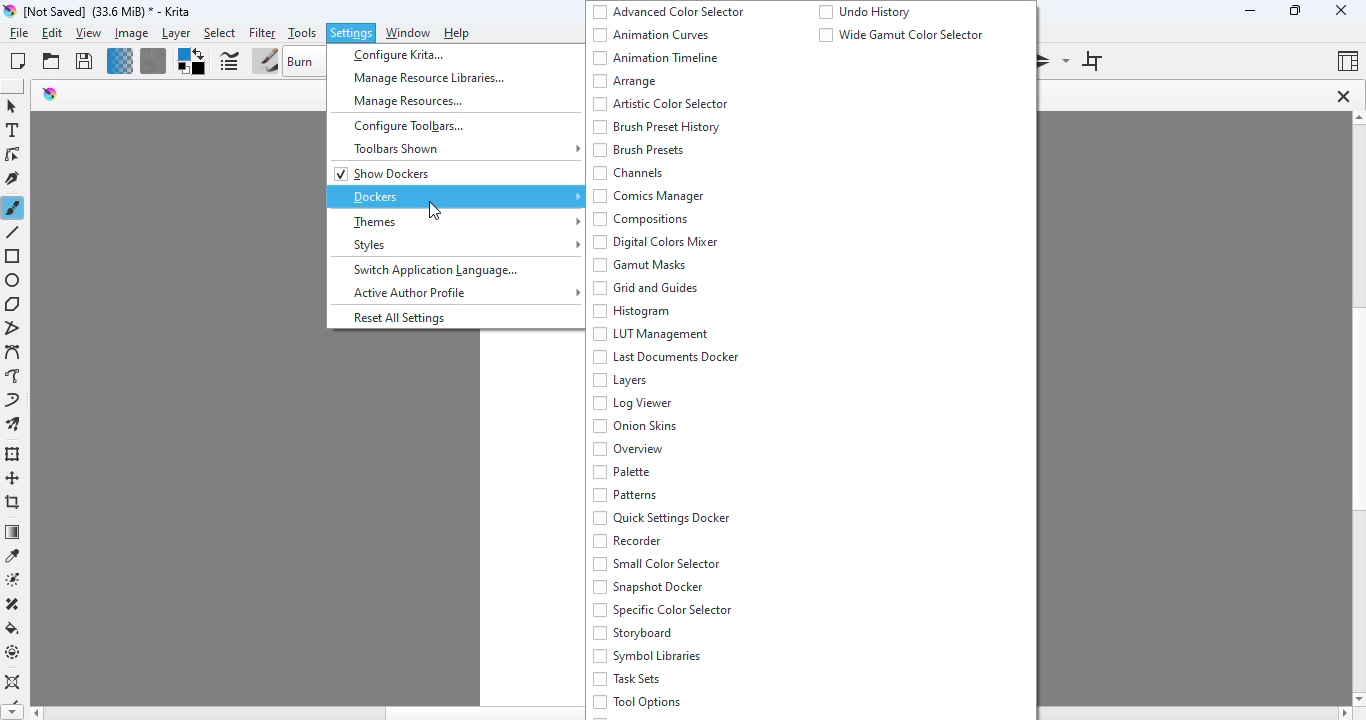 The width and height of the screenshot is (1366, 720). What do you see at coordinates (620, 381) in the screenshot?
I see `layers` at bounding box center [620, 381].